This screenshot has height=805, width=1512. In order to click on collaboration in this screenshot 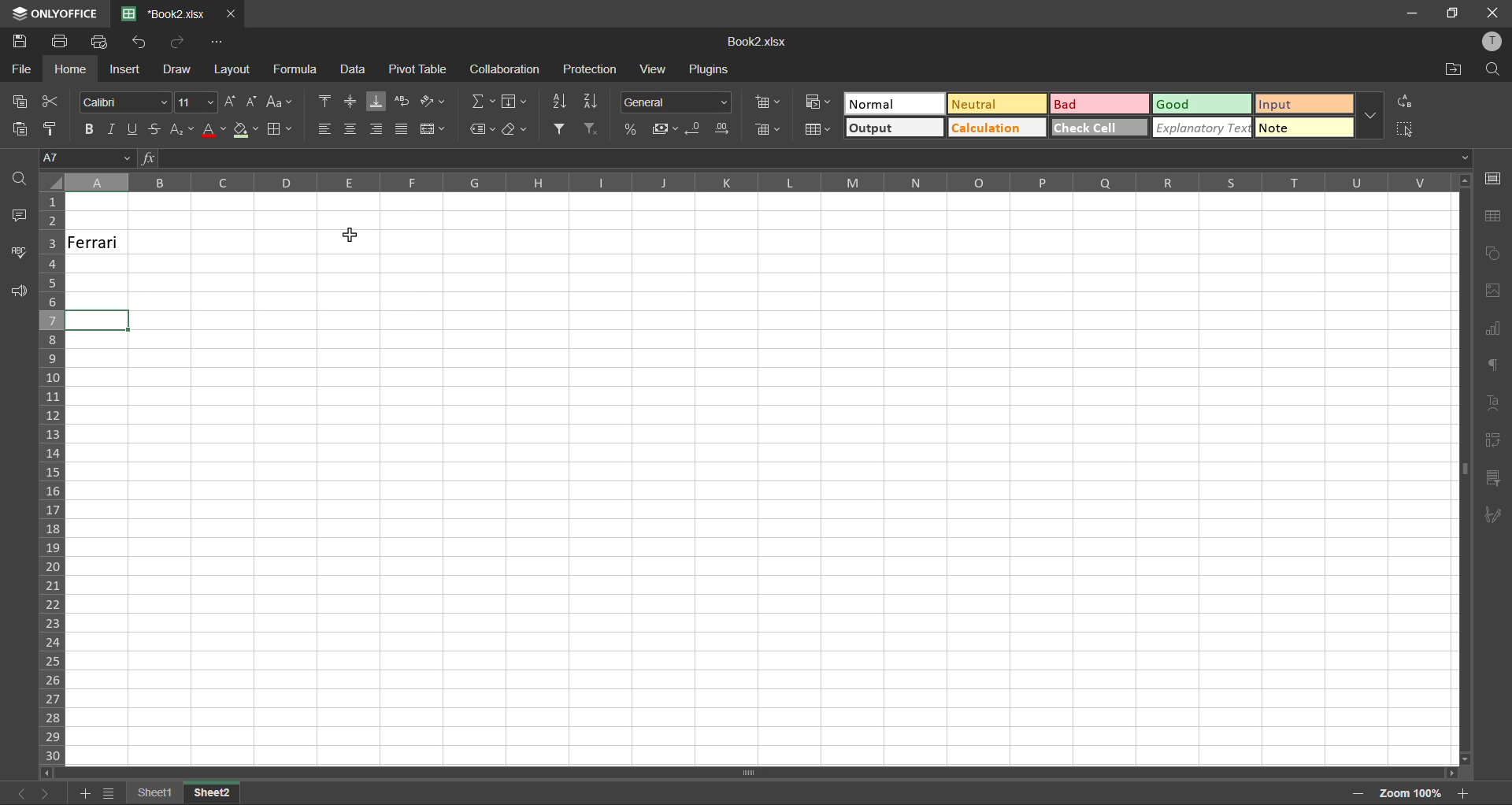, I will do `click(509, 72)`.